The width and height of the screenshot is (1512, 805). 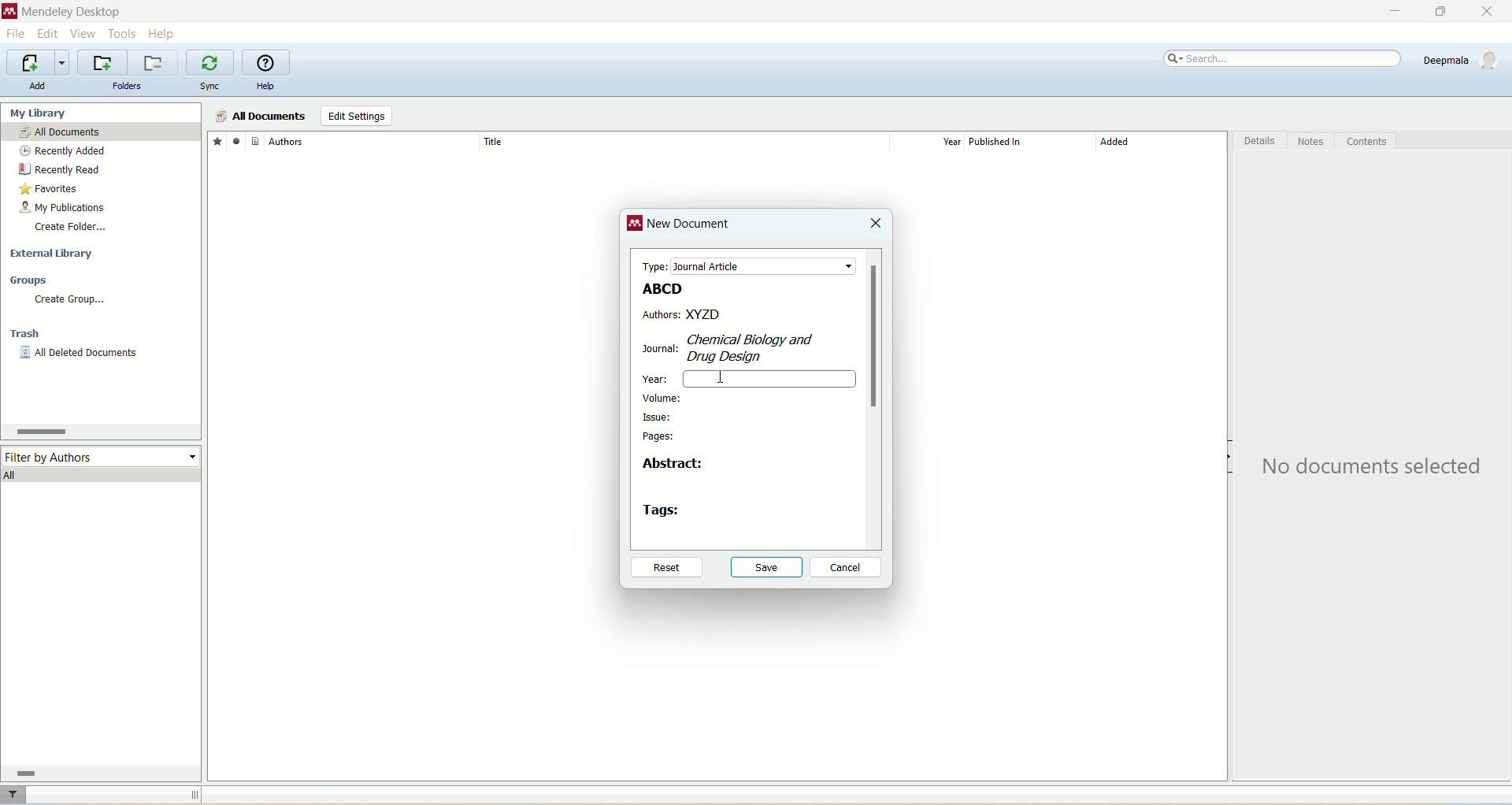 I want to click on logo, so click(x=636, y=225).